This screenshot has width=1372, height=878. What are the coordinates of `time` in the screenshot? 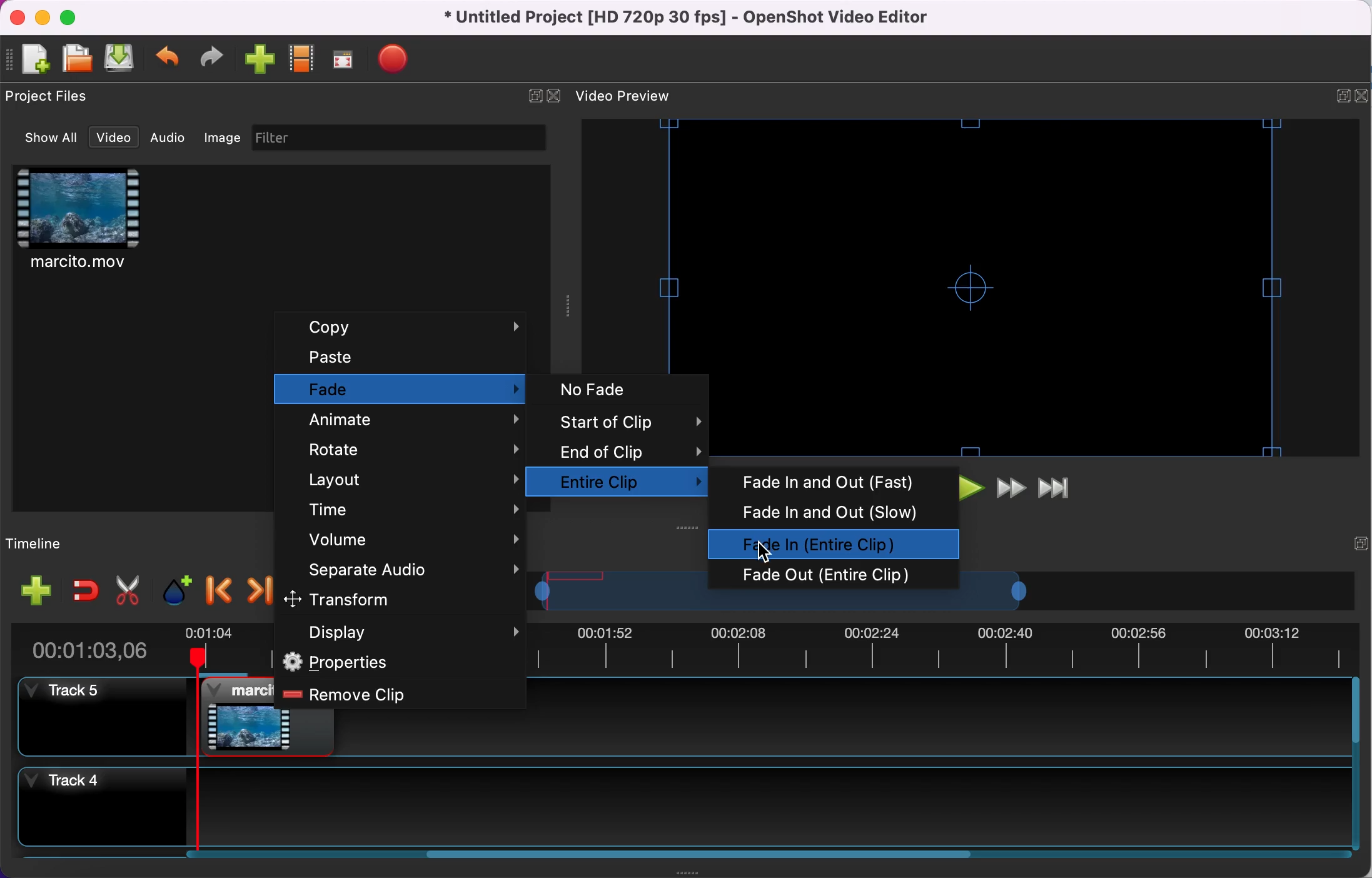 It's located at (411, 509).